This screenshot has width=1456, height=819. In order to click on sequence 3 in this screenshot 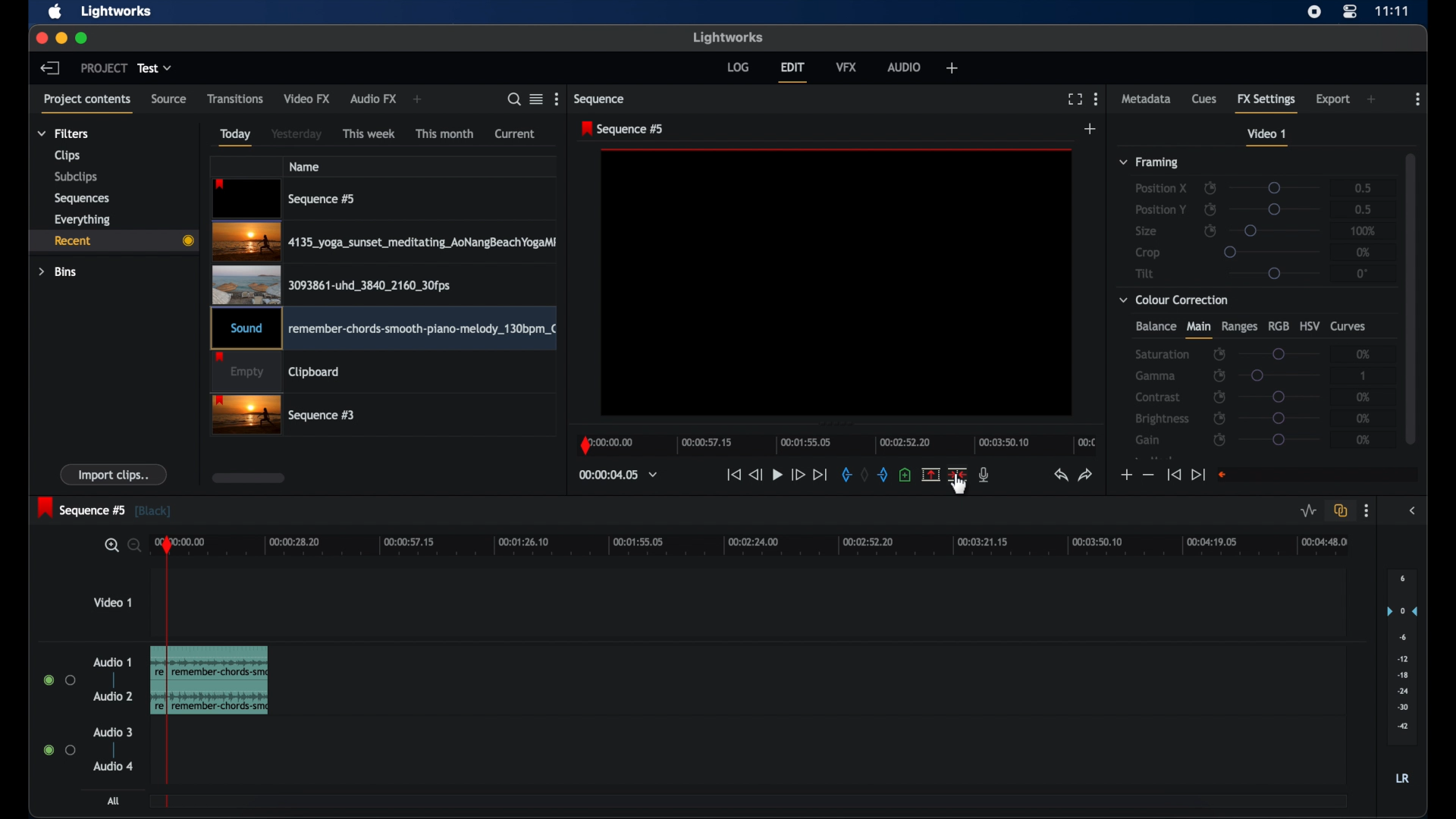, I will do `click(284, 416)`.